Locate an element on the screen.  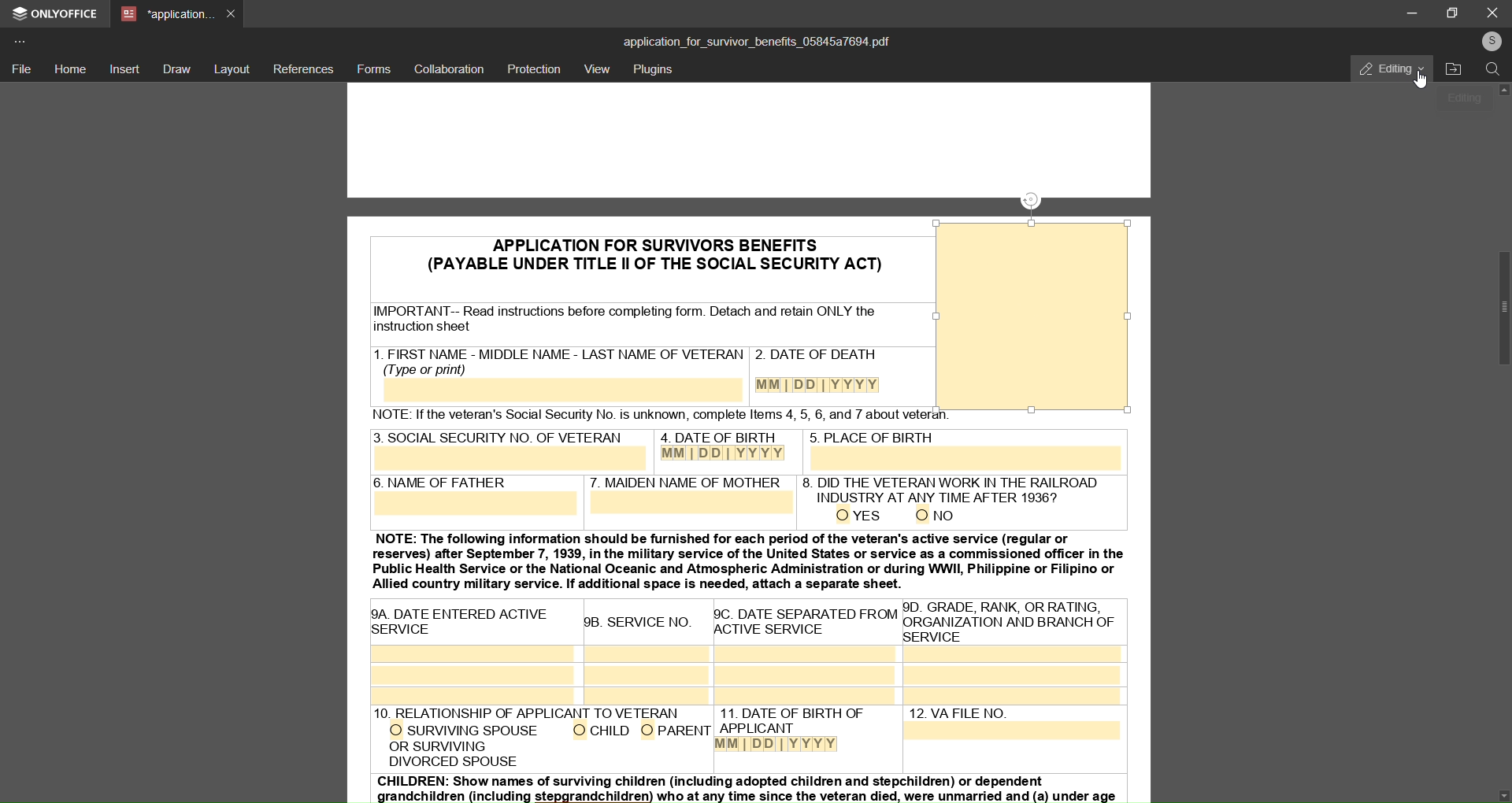
forms is located at coordinates (373, 68).